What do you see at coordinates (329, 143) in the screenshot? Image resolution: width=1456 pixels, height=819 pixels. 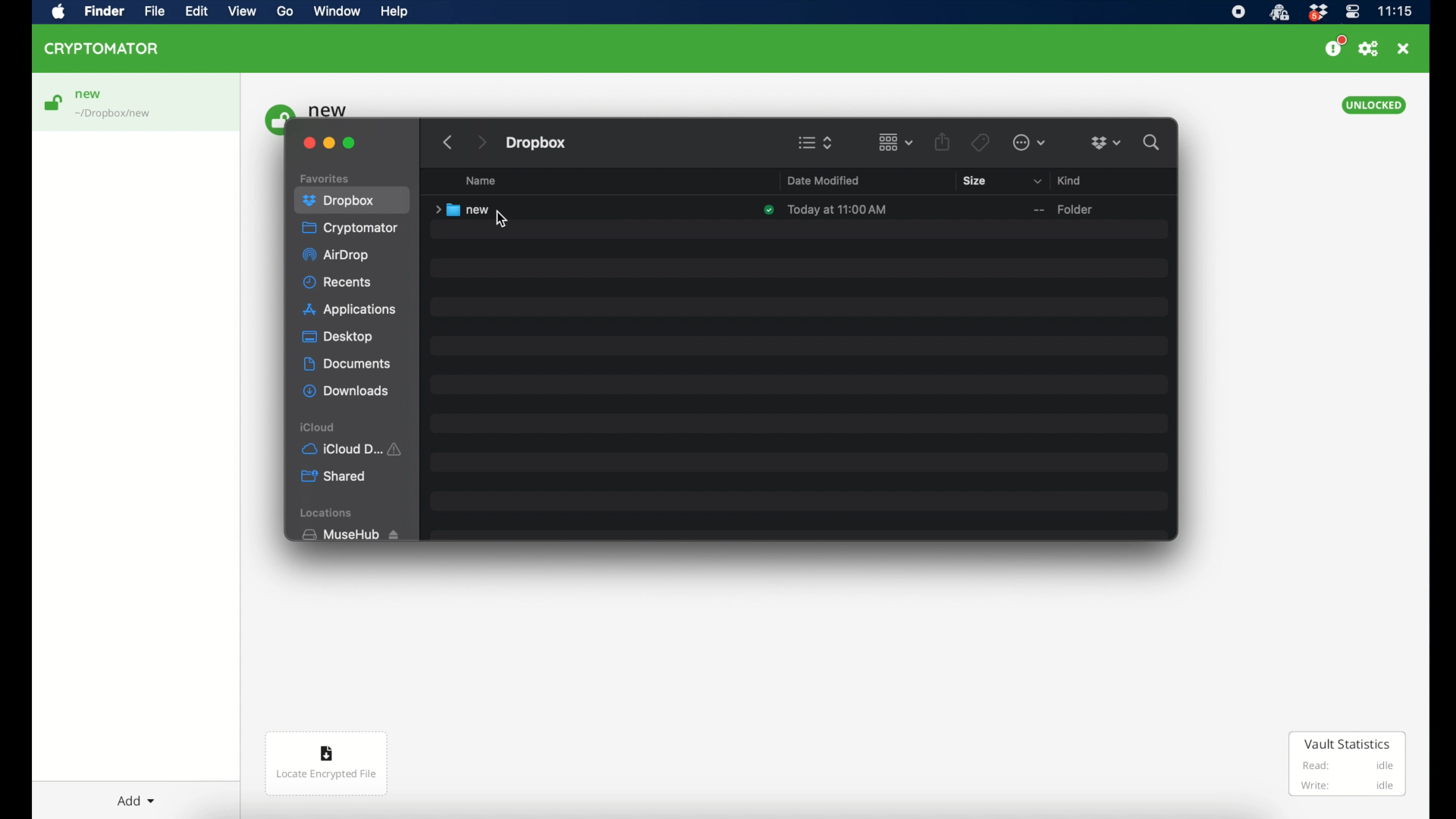 I see `minimize` at bounding box center [329, 143].